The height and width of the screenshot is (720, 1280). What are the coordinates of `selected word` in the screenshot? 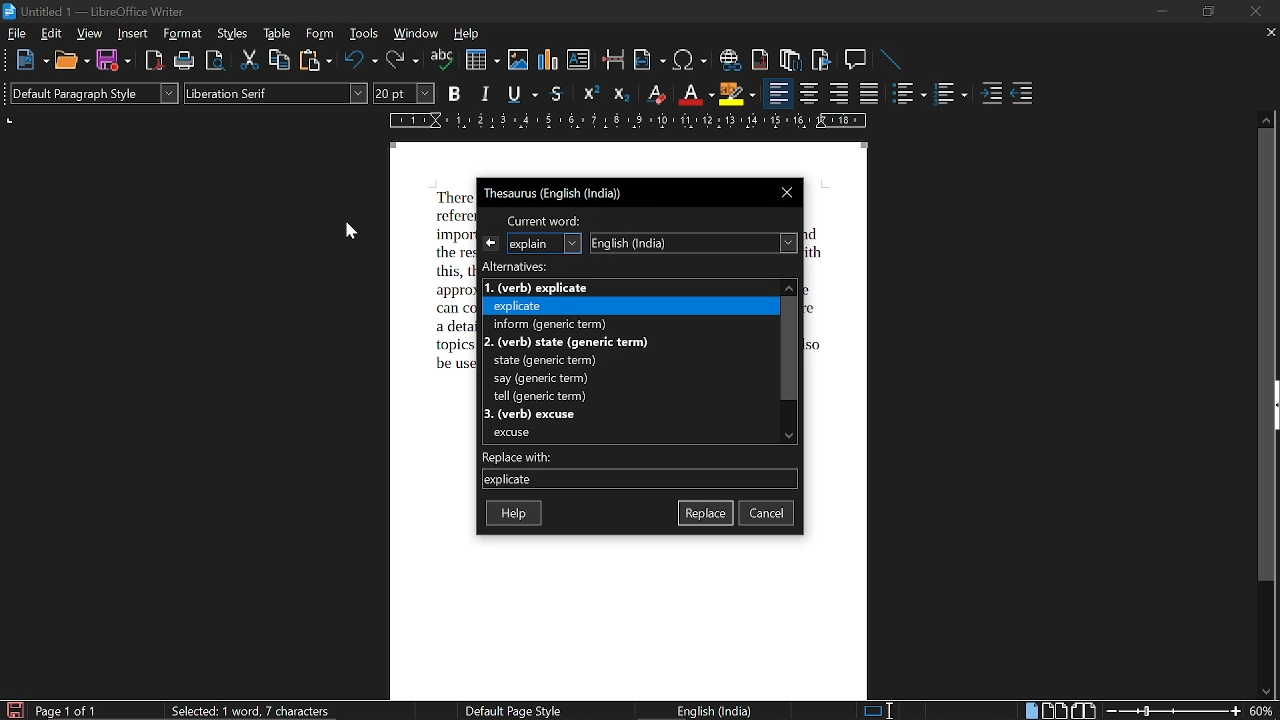 It's located at (545, 243).